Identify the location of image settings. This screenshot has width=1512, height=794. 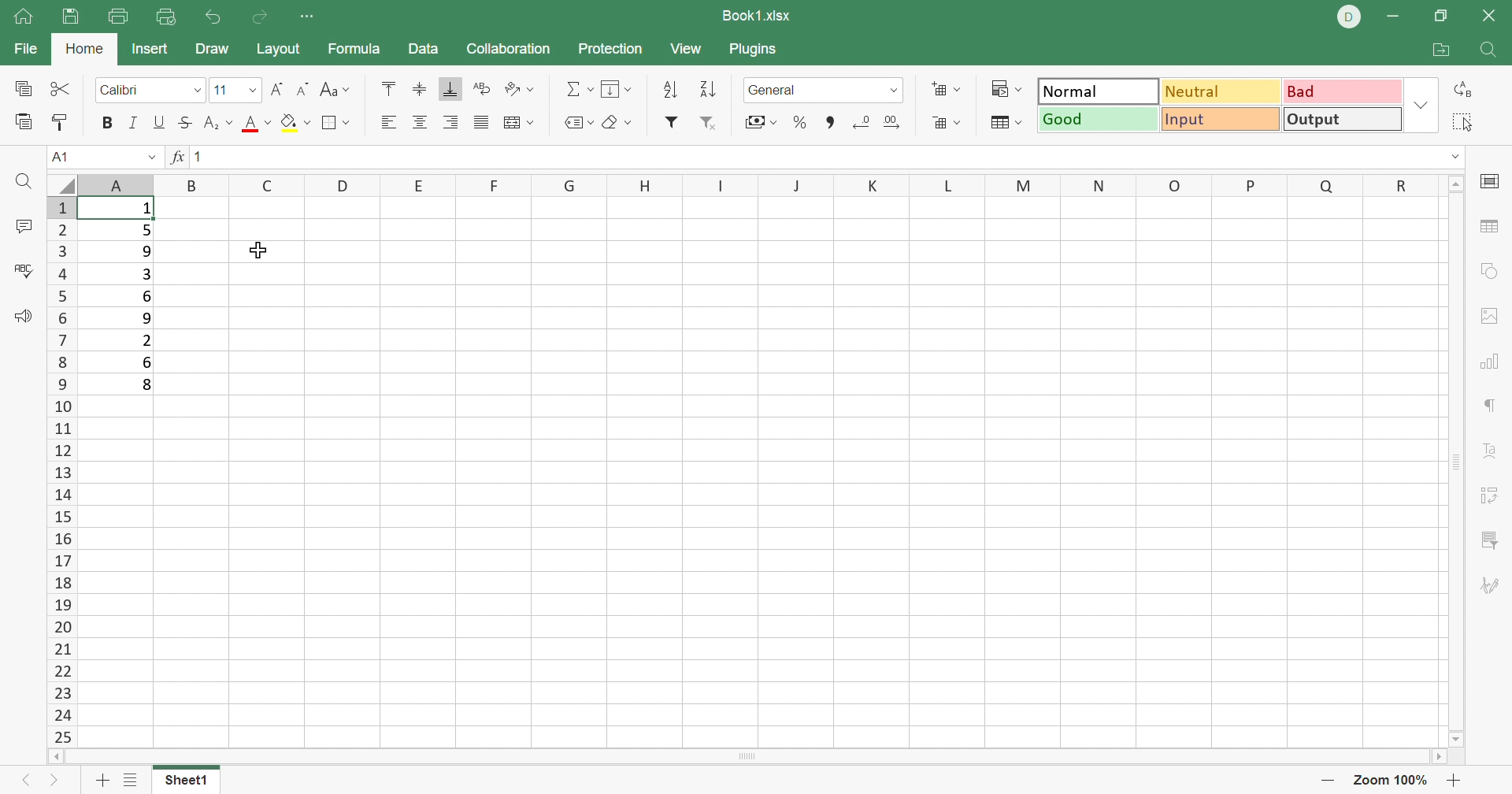
(1488, 317).